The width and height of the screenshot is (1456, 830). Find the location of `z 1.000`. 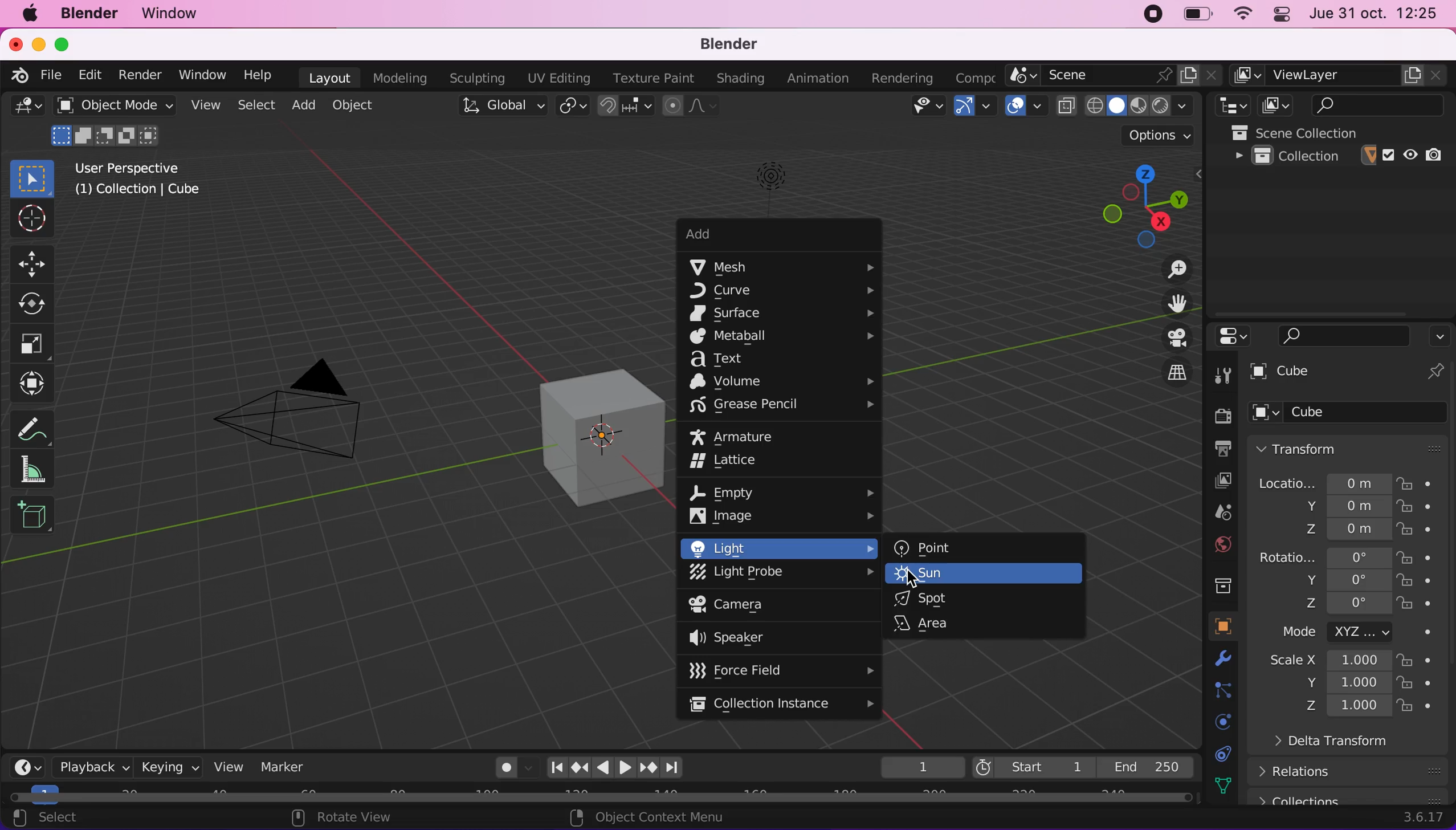

z 1.000 is located at coordinates (1348, 707).